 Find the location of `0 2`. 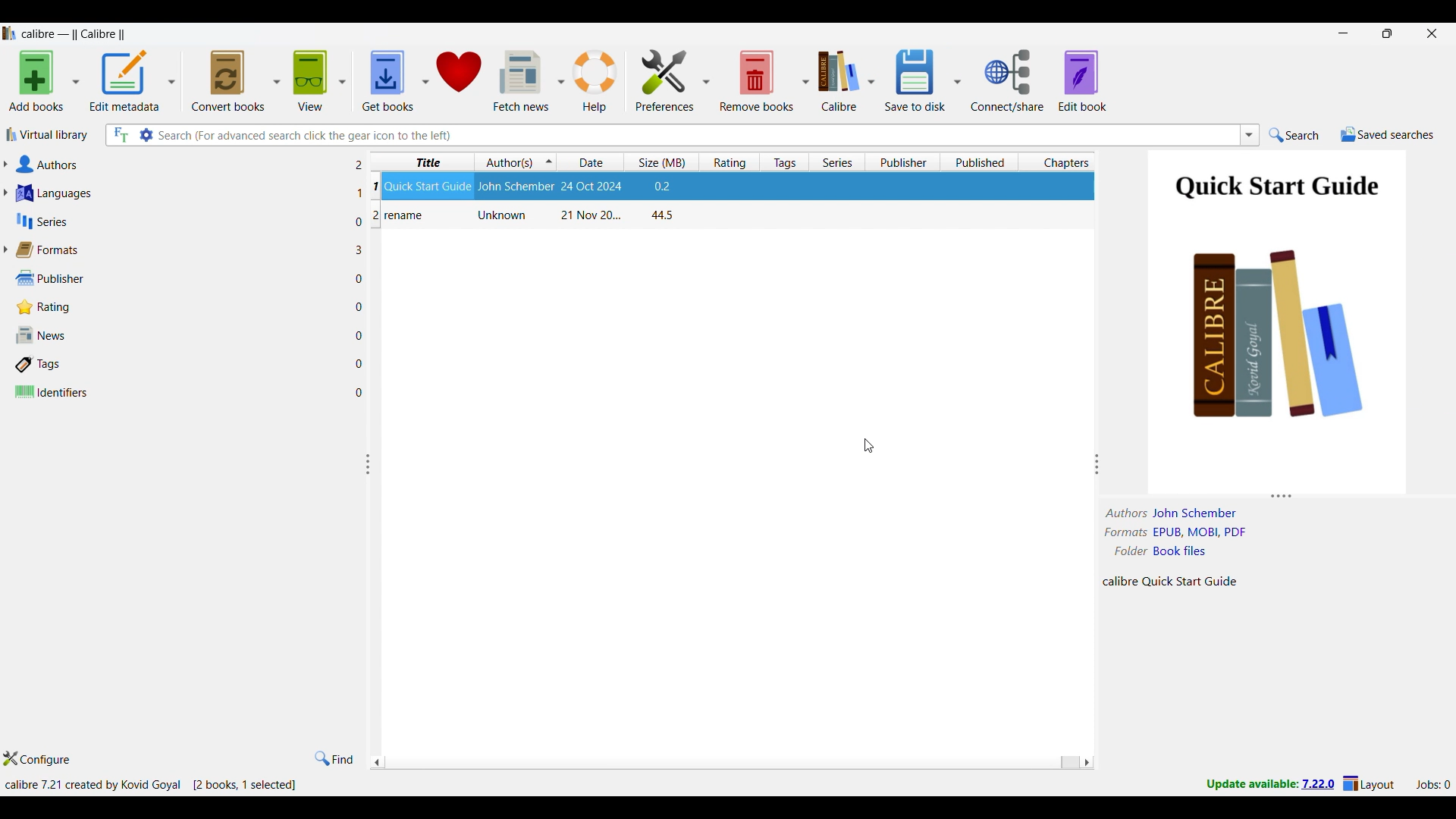

0 2 is located at coordinates (368, 220).